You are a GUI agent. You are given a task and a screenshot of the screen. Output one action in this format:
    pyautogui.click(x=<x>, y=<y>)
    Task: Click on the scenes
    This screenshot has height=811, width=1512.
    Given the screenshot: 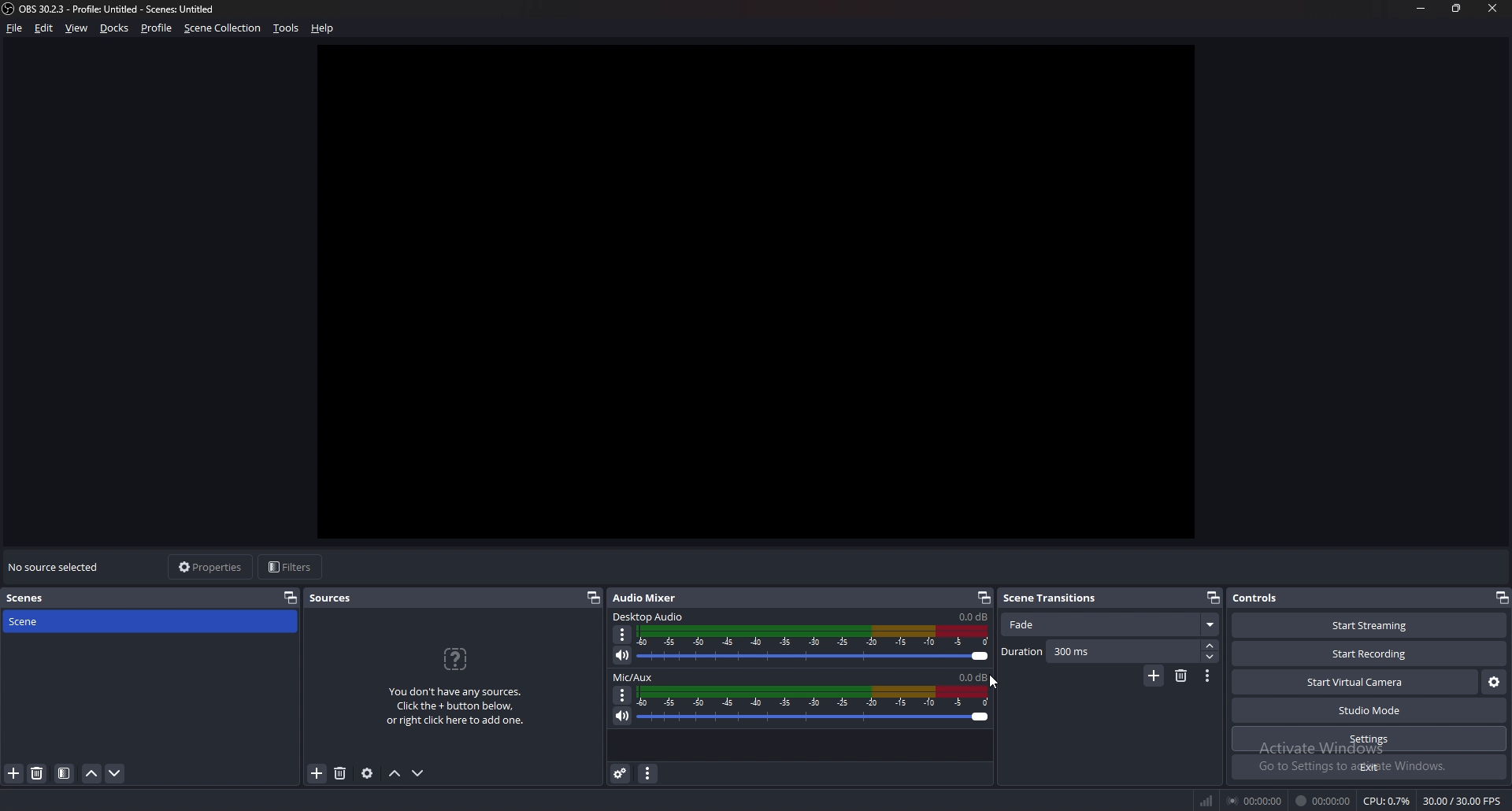 What is the action you would take?
    pyautogui.click(x=31, y=598)
    